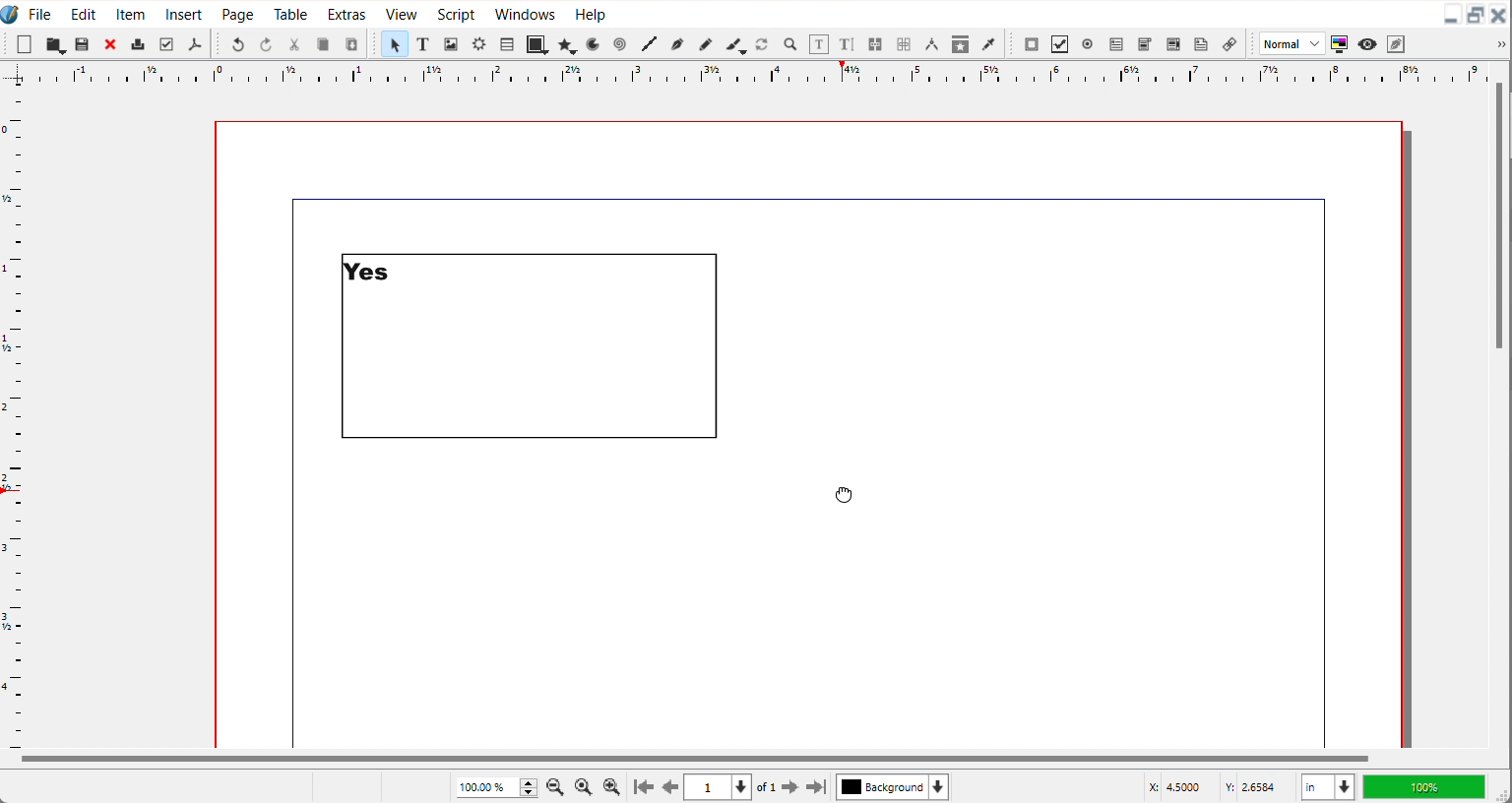 This screenshot has width=1512, height=803. Describe the element at coordinates (1498, 44) in the screenshot. I see `Drop down box` at that location.